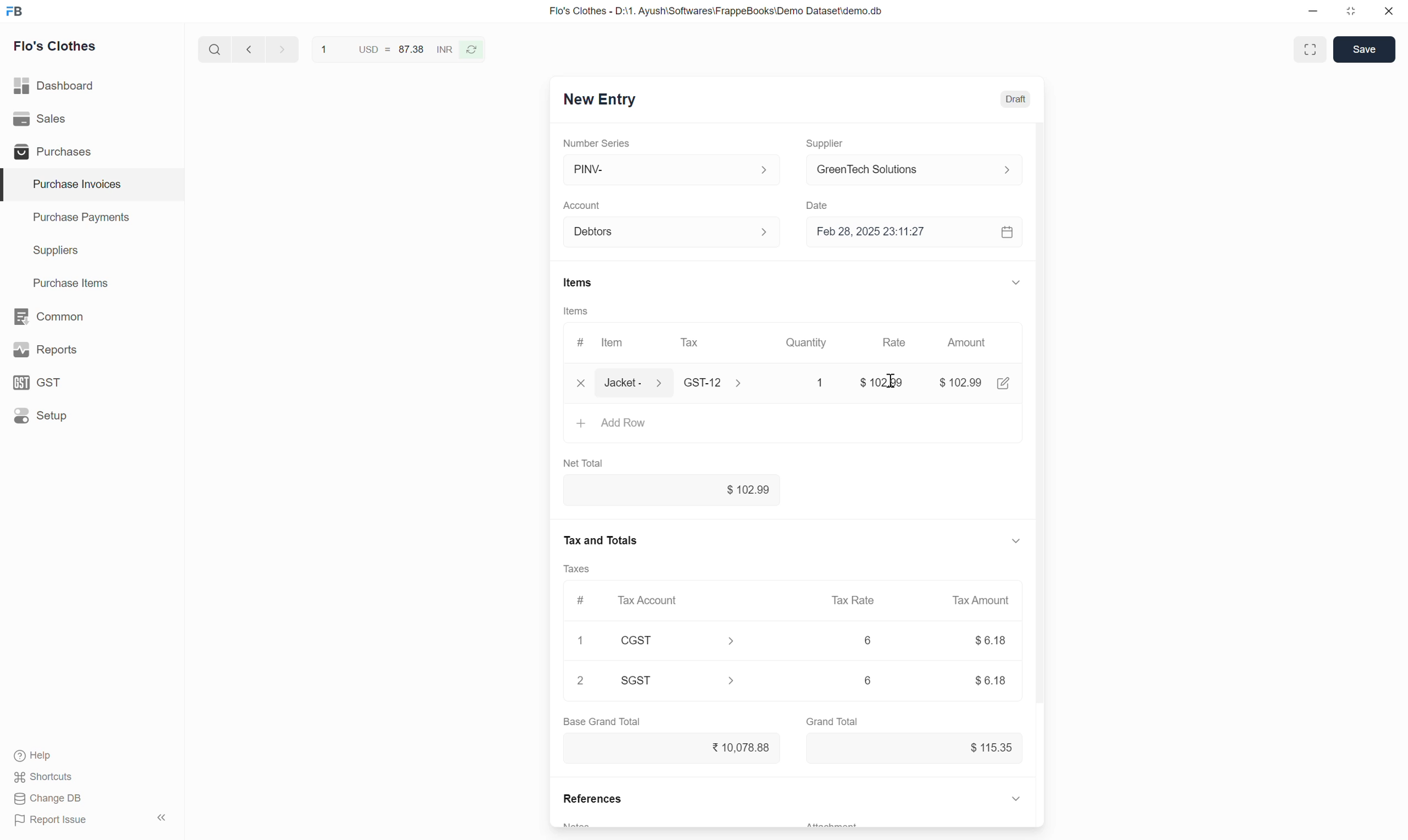 The width and height of the screenshot is (1408, 840). What do you see at coordinates (991, 681) in the screenshot?
I see `$6.18` at bounding box center [991, 681].